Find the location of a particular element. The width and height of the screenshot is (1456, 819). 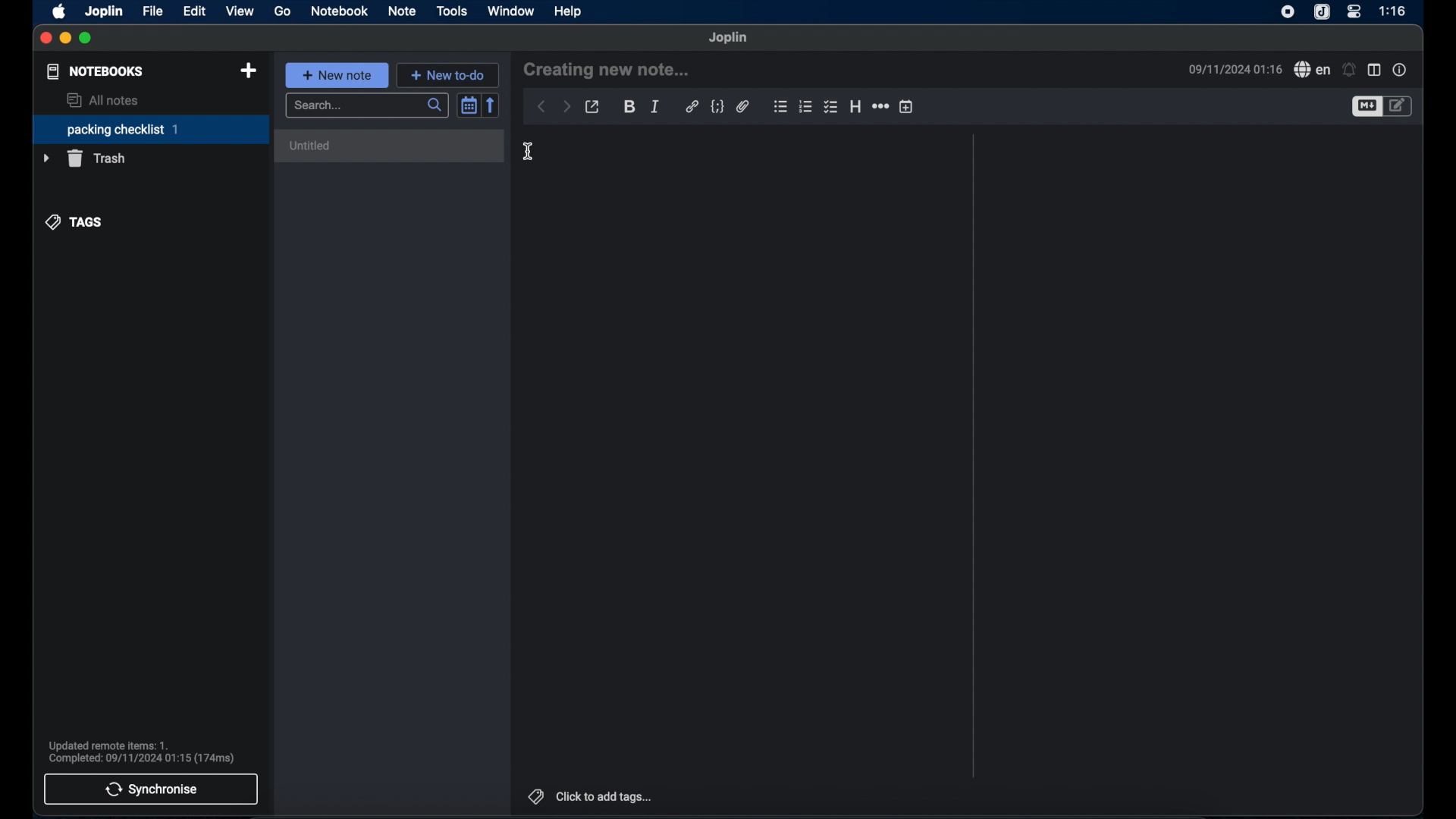

help is located at coordinates (569, 11).